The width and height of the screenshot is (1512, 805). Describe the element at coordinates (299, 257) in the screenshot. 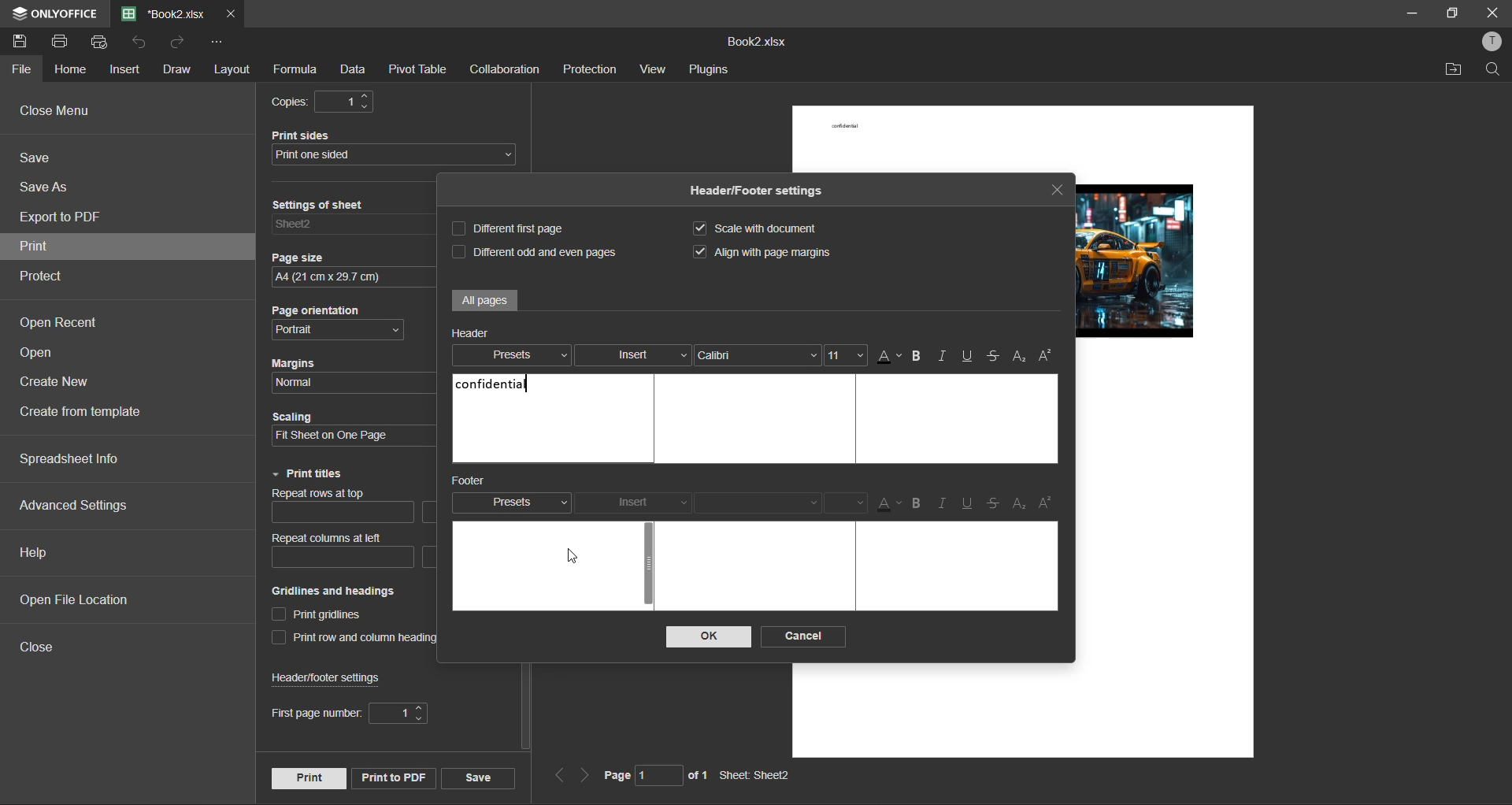

I see `Page size` at that location.